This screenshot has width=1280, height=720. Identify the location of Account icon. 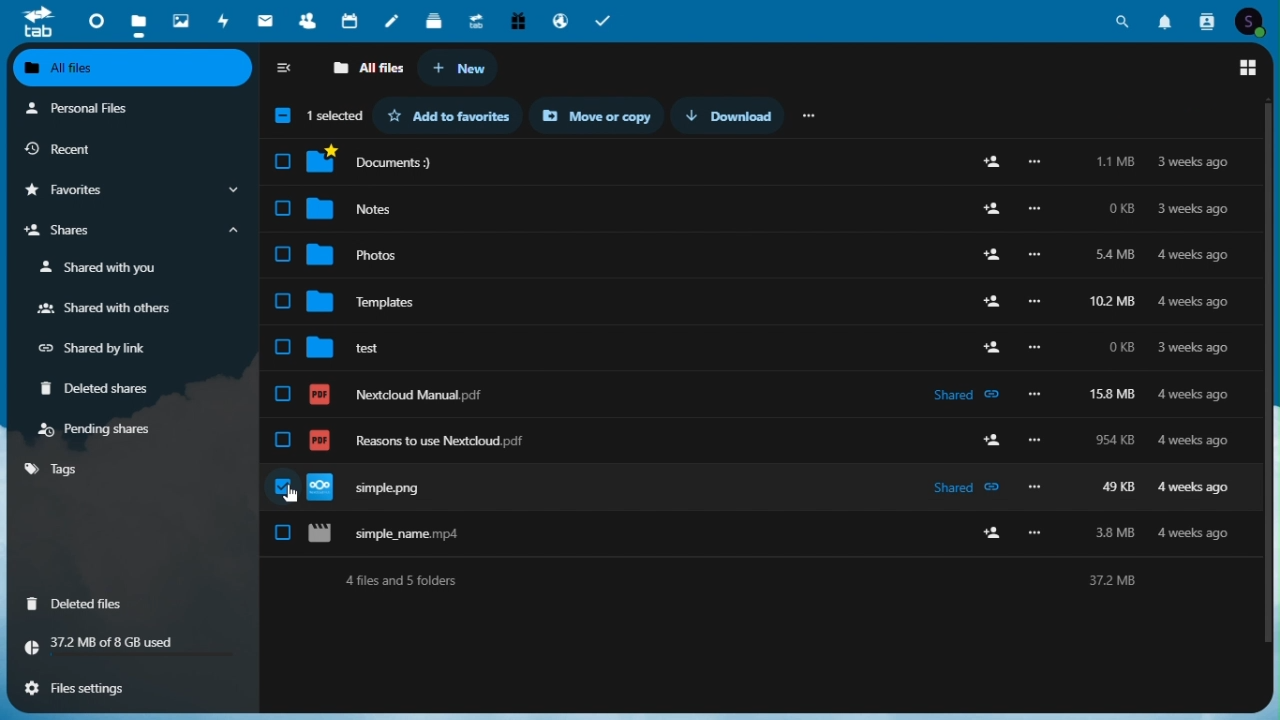
(1255, 19).